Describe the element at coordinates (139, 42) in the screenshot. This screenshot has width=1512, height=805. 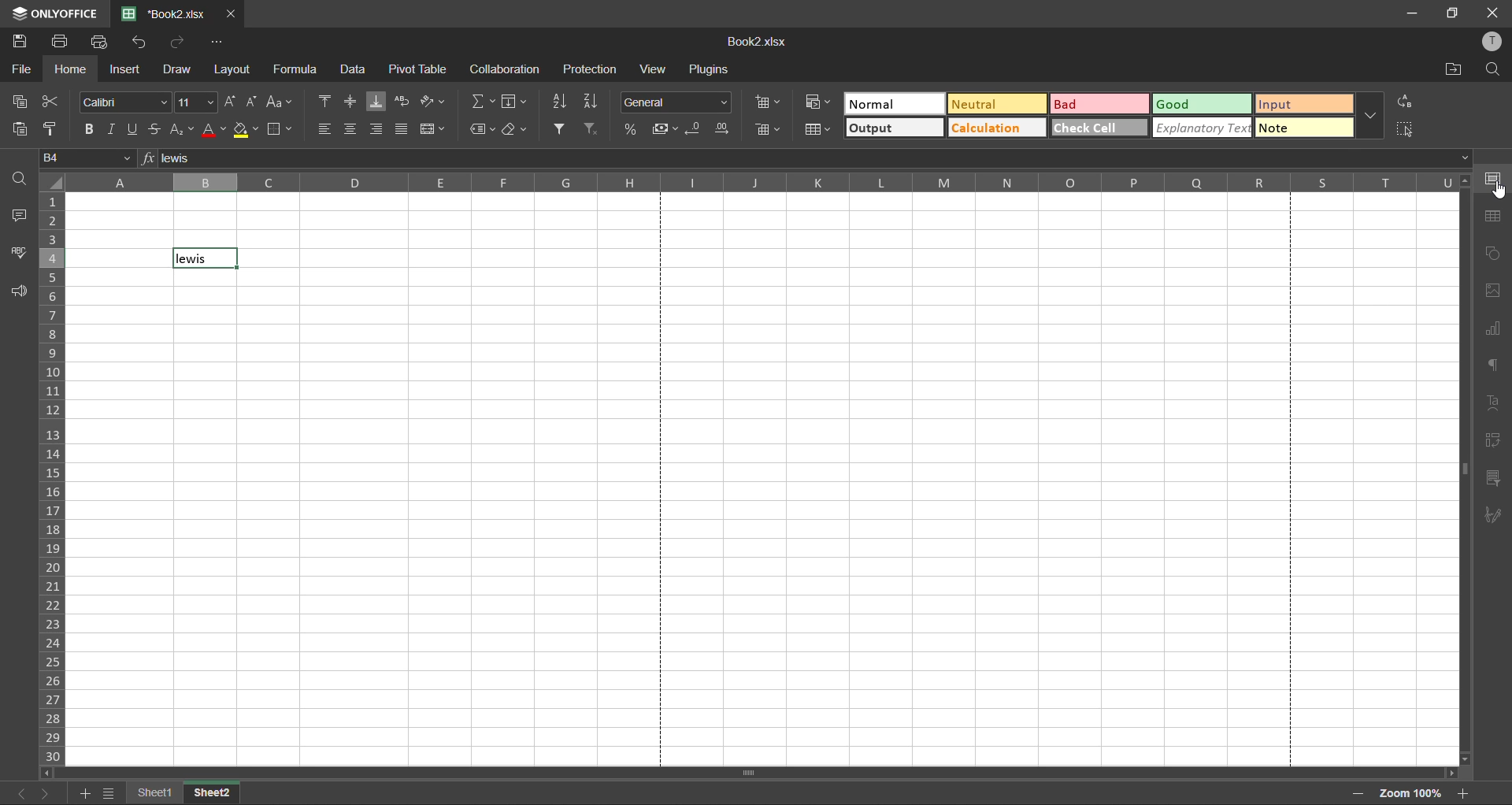
I see `undo` at that location.